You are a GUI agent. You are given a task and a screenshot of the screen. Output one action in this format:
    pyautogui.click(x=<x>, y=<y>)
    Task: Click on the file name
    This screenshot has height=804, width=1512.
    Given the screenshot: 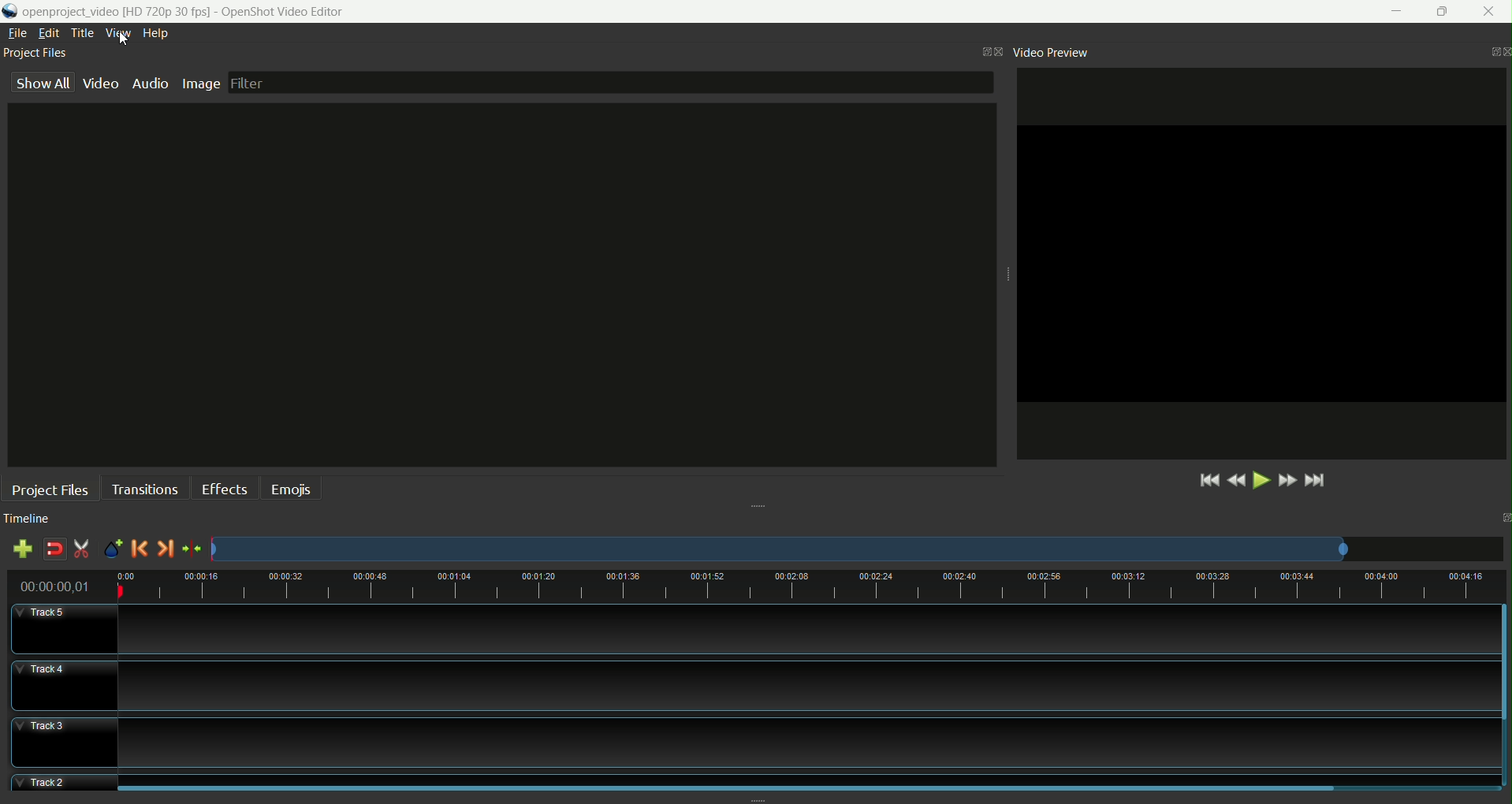 What is the action you would take?
    pyautogui.click(x=196, y=12)
    